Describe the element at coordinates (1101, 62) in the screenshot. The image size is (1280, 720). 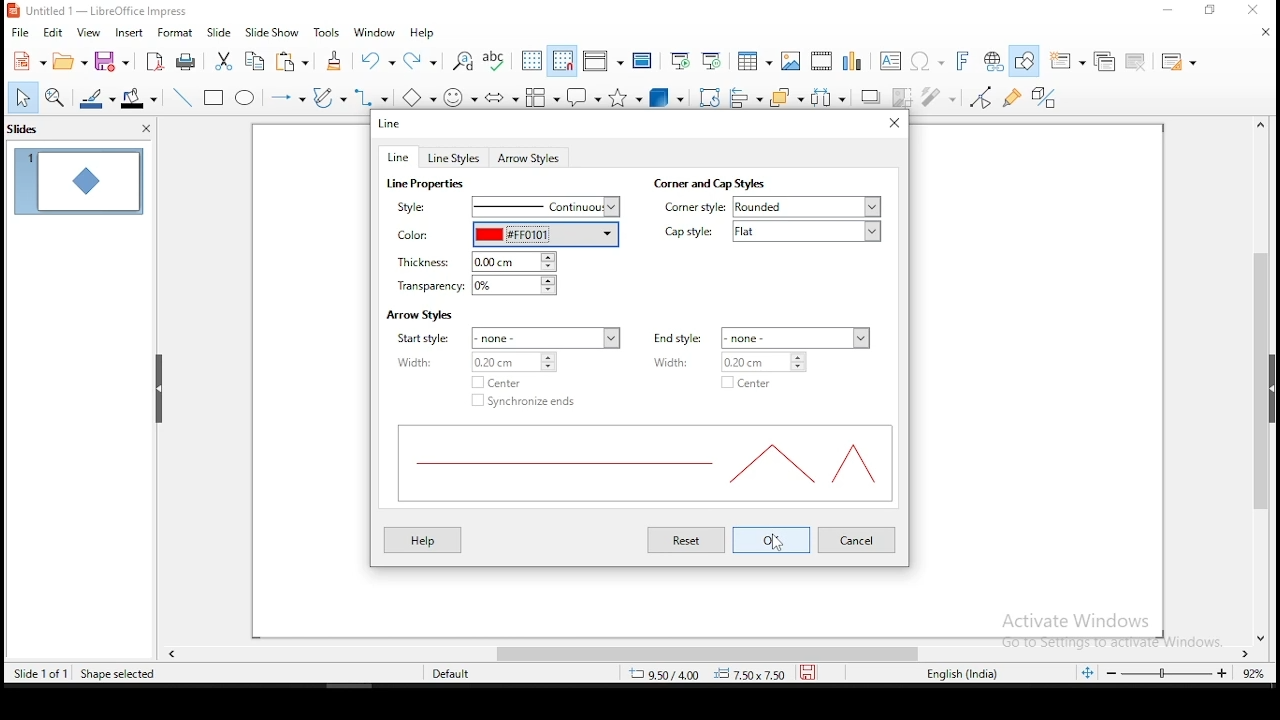
I see `duplicate slide` at that location.